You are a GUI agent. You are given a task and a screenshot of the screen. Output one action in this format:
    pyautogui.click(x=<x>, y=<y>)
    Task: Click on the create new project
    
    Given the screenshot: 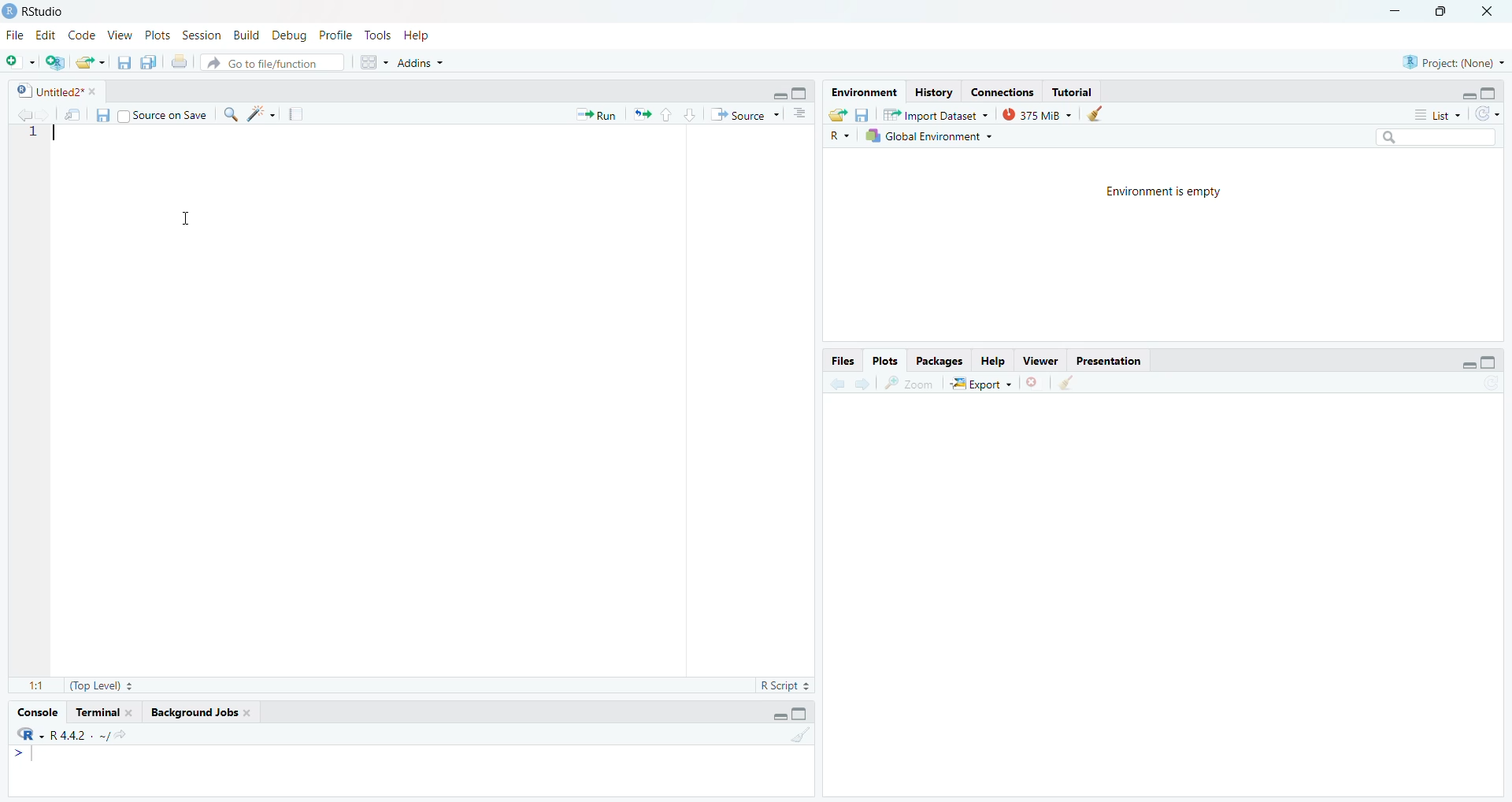 What is the action you would take?
    pyautogui.click(x=54, y=64)
    